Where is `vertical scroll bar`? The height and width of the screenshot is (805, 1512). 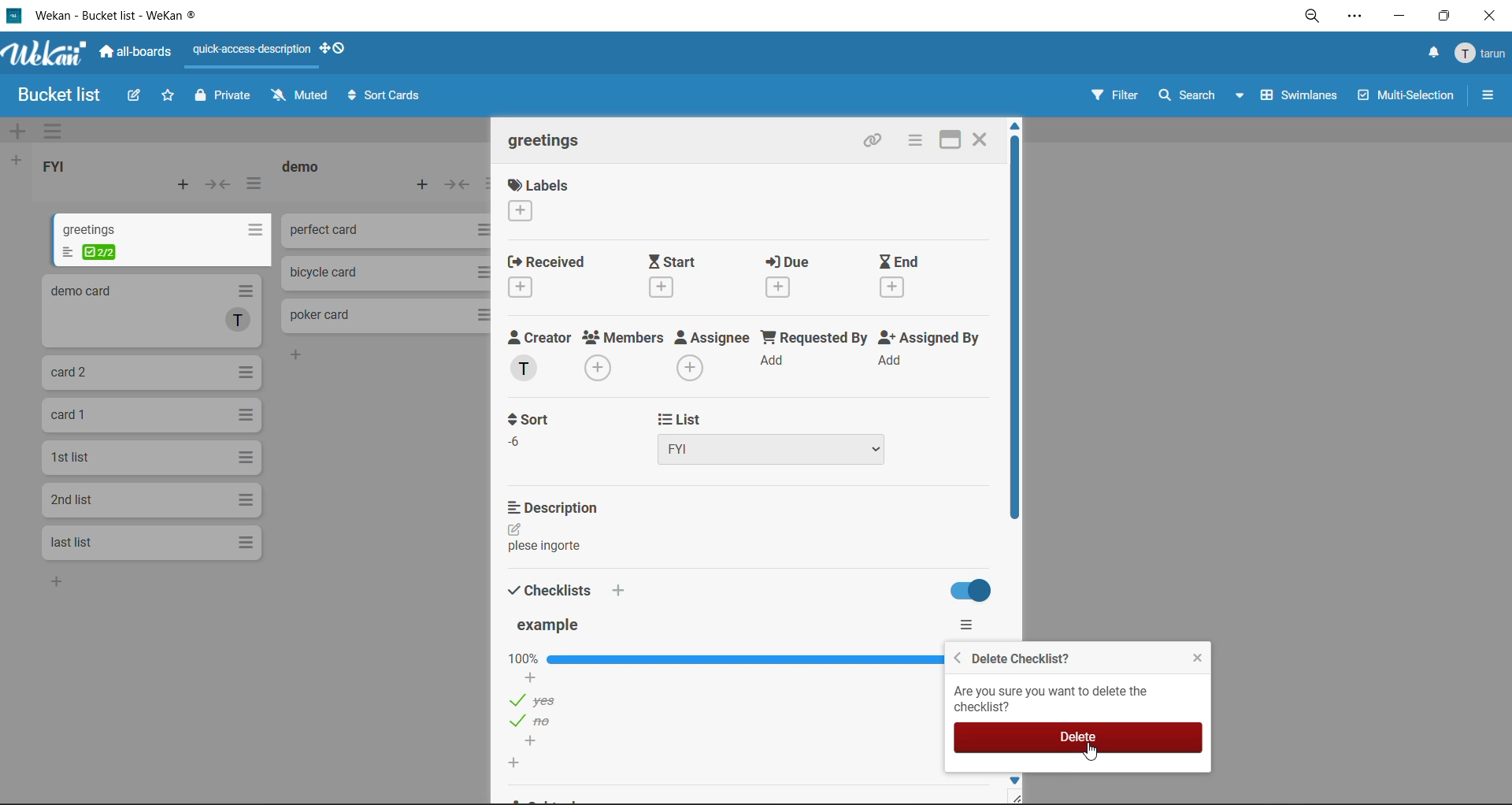
vertical scroll bar is located at coordinates (1006, 328).